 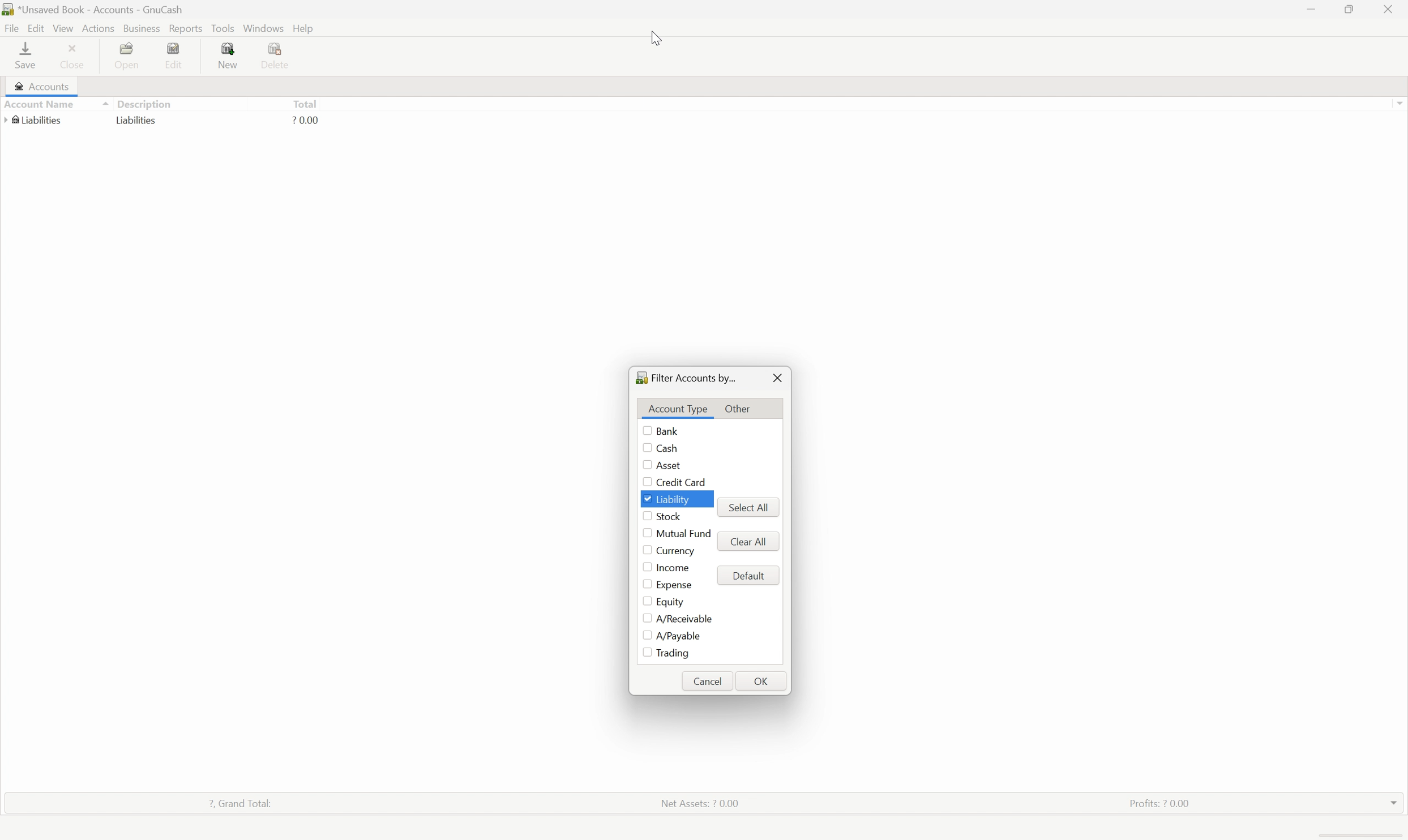 I want to click on Filter accounts by..., so click(x=686, y=378).